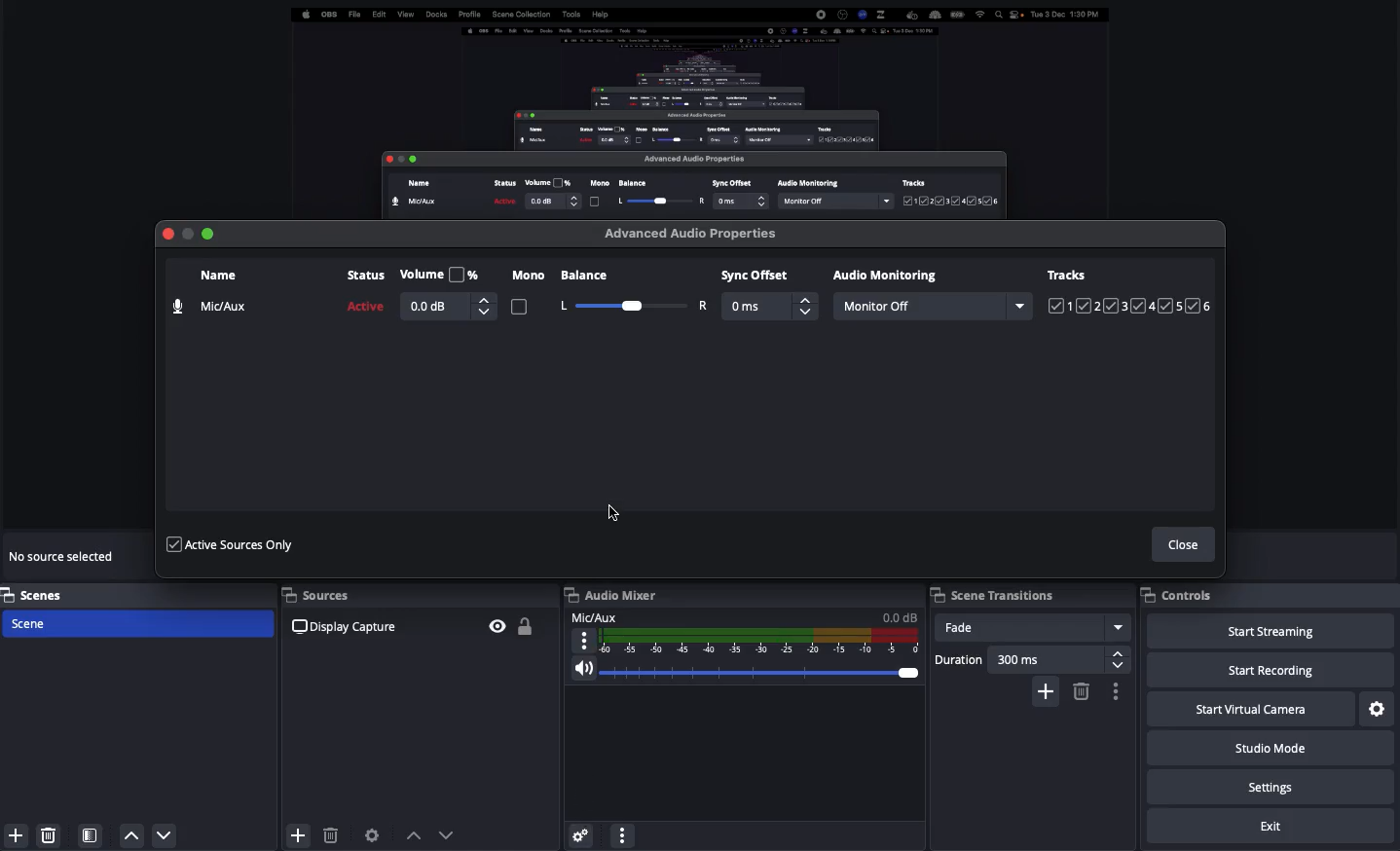 This screenshot has width=1400, height=851. What do you see at coordinates (1271, 826) in the screenshot?
I see `Exit` at bounding box center [1271, 826].